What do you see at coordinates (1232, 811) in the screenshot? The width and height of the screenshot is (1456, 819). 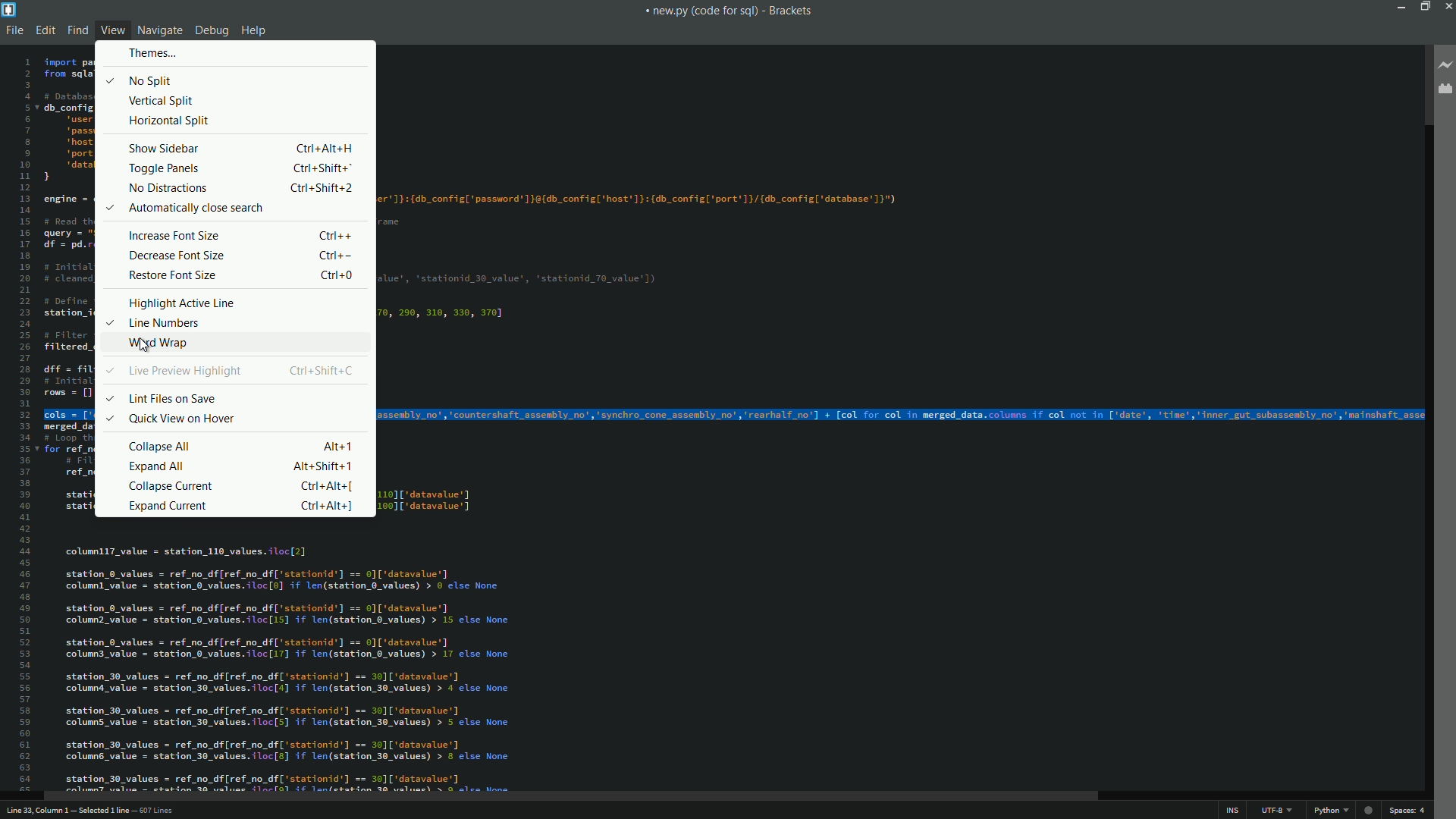 I see `ins` at bounding box center [1232, 811].